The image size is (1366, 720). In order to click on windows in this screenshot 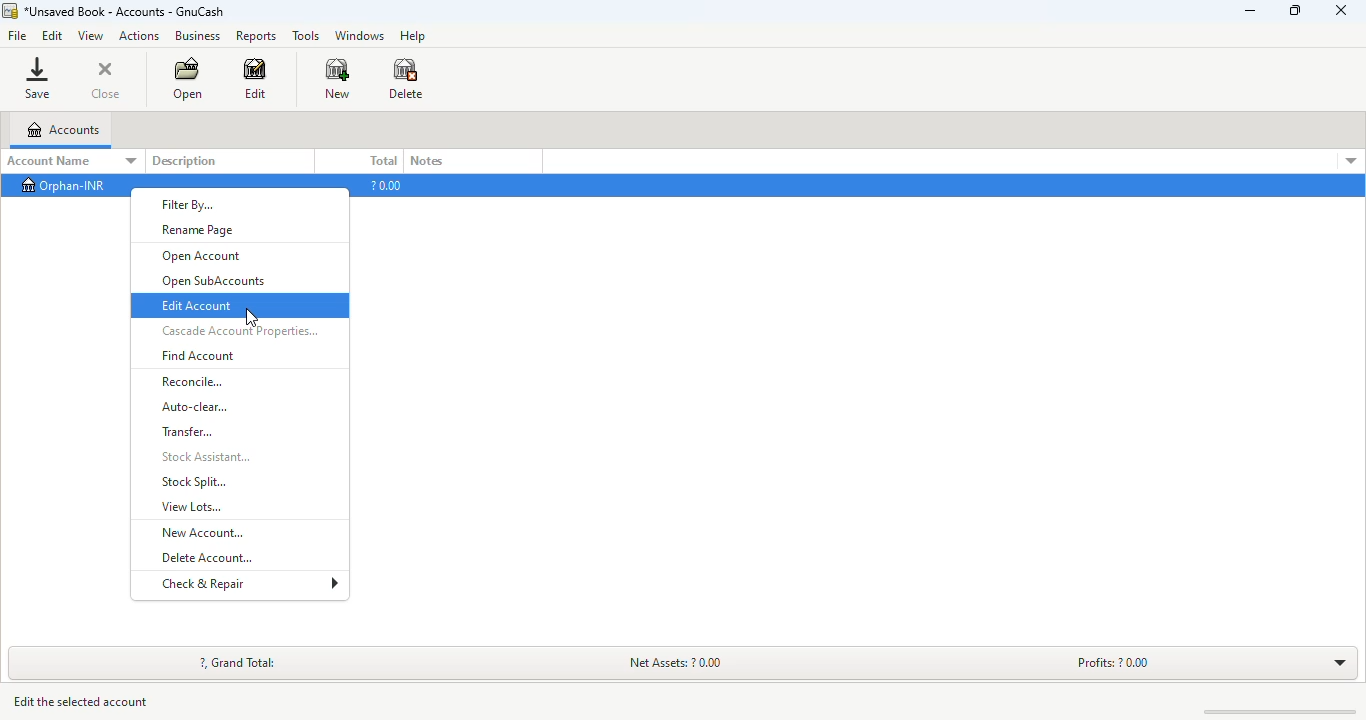, I will do `click(359, 36)`.